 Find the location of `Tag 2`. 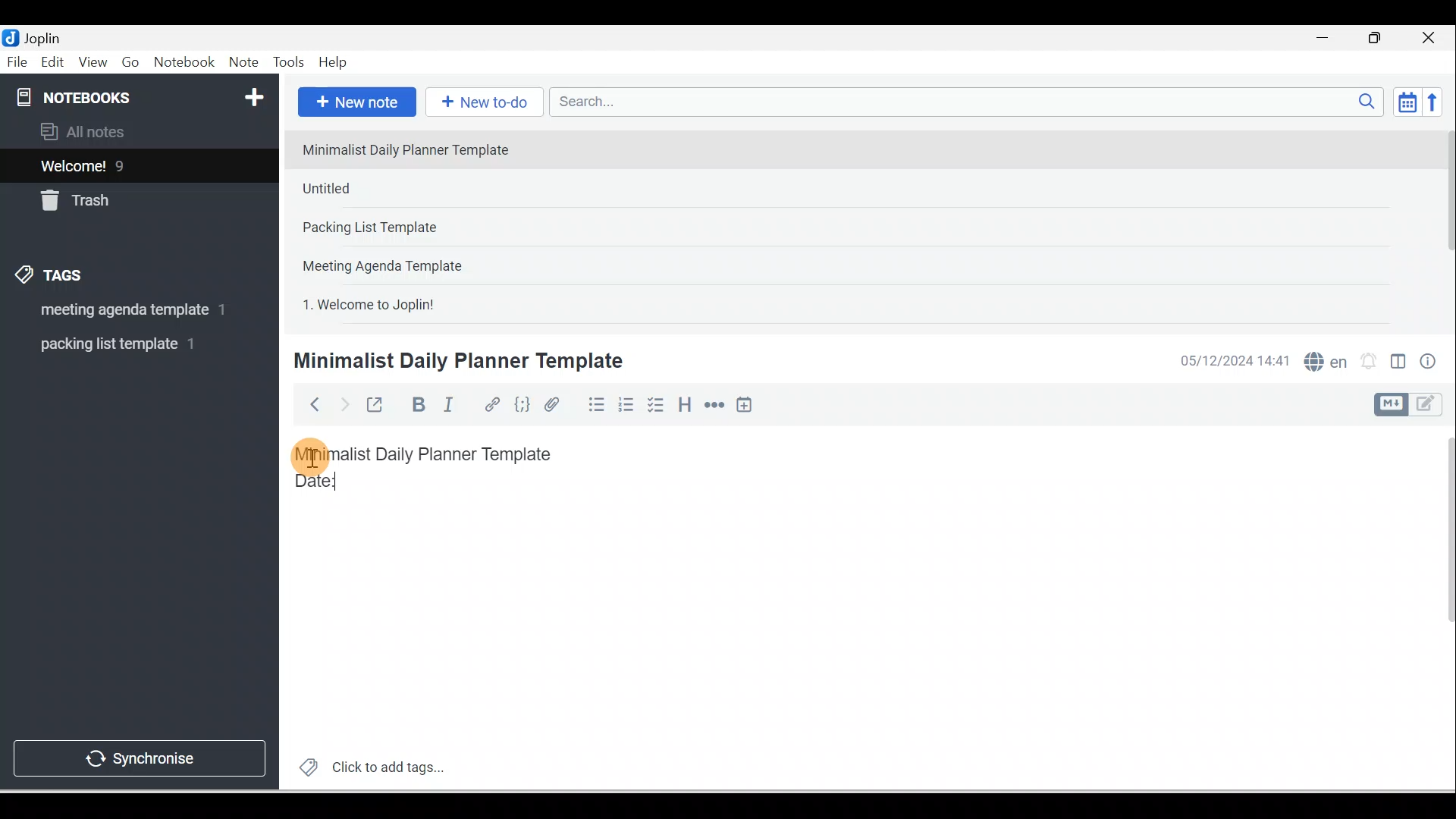

Tag 2 is located at coordinates (128, 344).